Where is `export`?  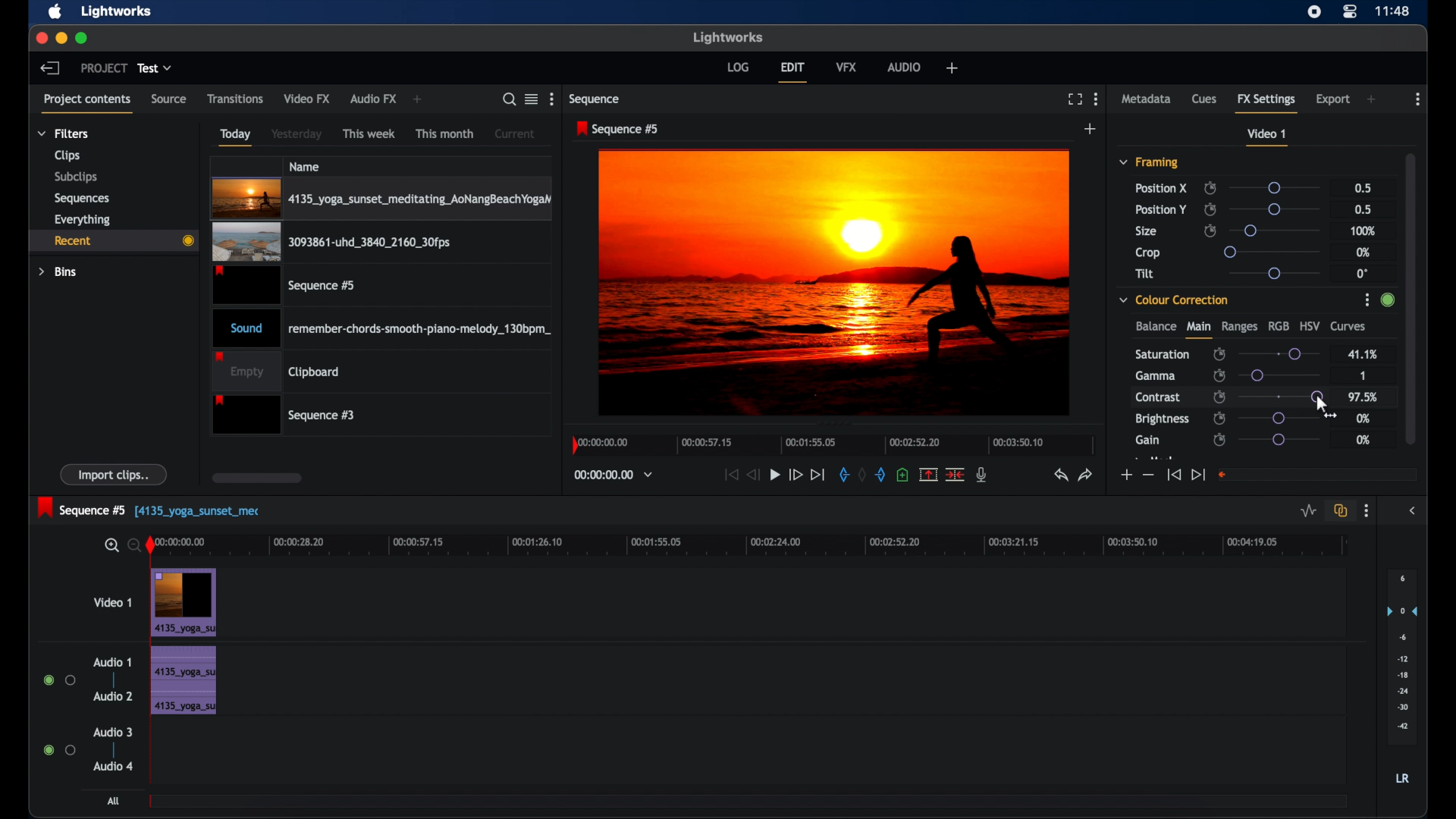 export is located at coordinates (1333, 99).